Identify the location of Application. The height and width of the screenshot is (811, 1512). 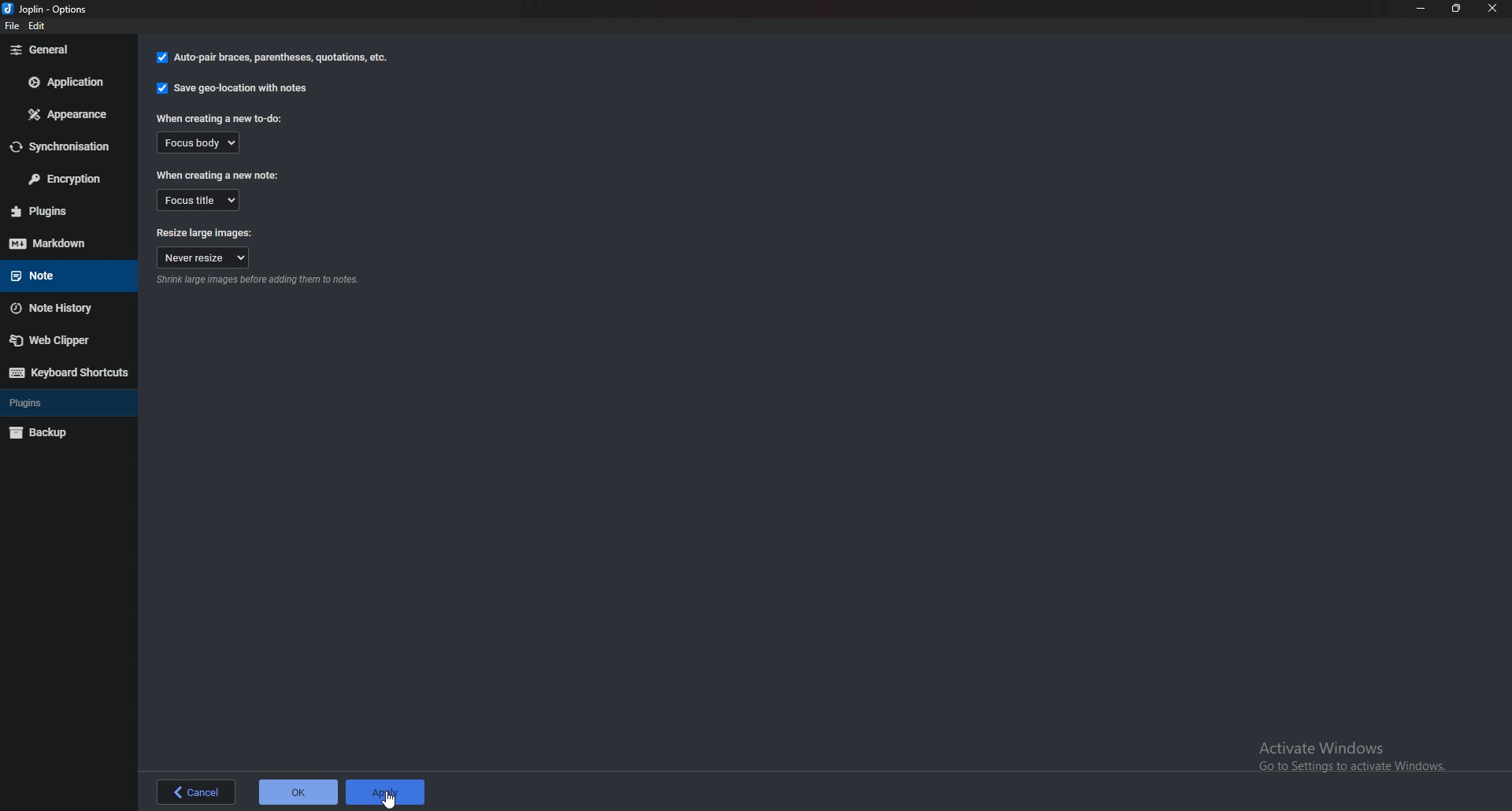
(66, 82).